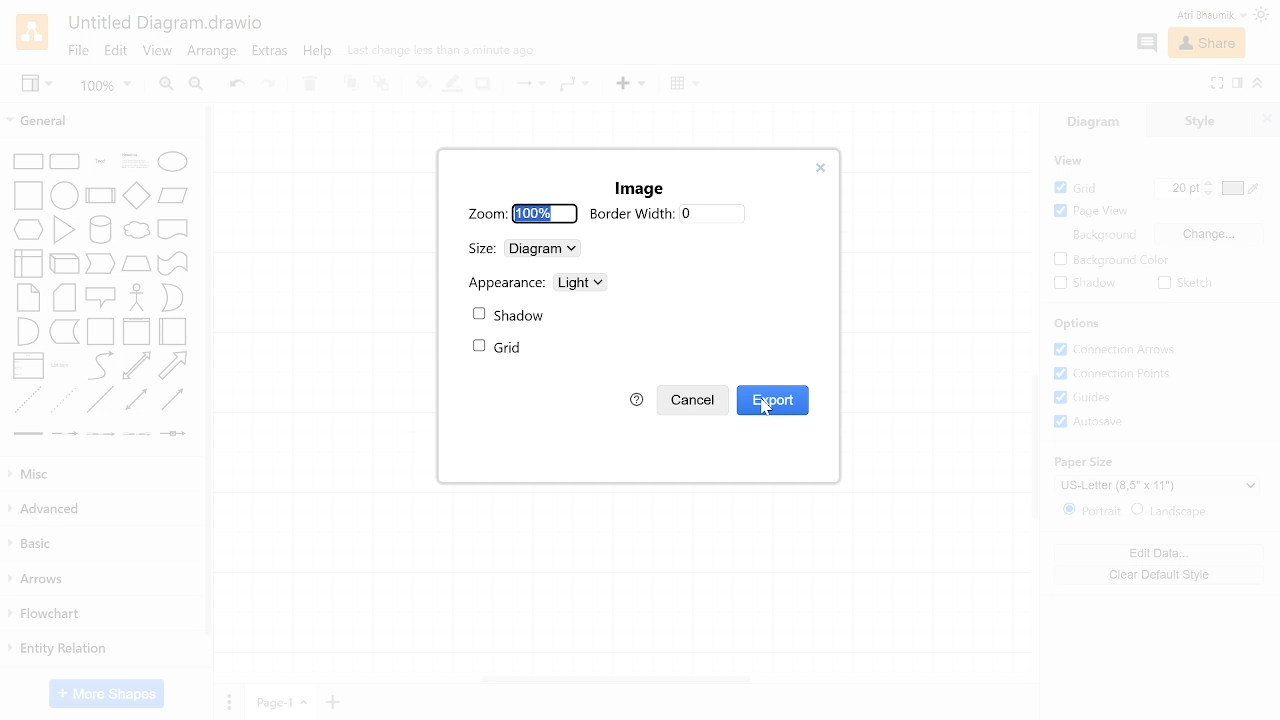 The height and width of the screenshot is (720, 1280). What do you see at coordinates (820, 167) in the screenshot?
I see `close` at bounding box center [820, 167].